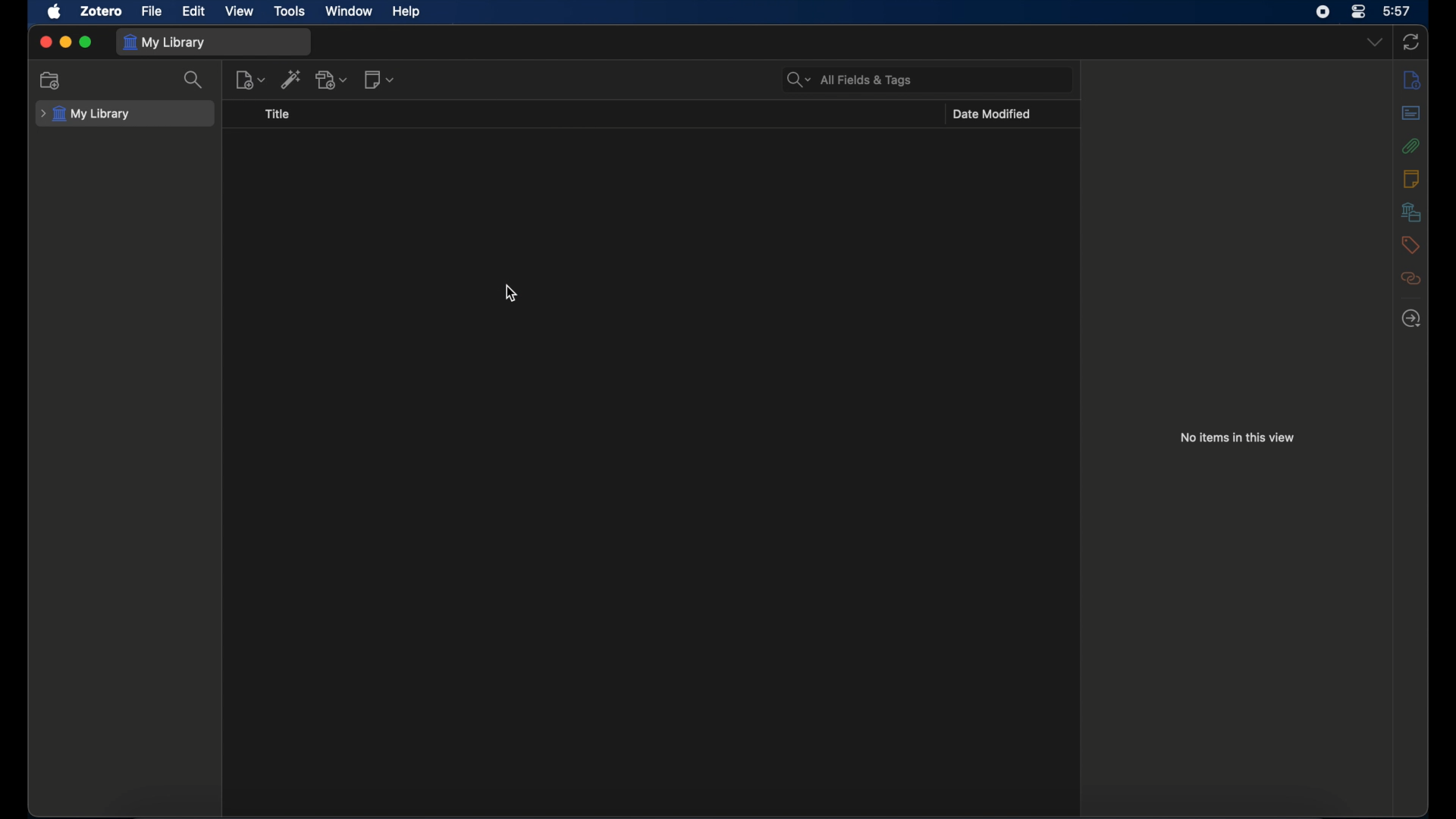  I want to click on add item by identifier, so click(292, 79).